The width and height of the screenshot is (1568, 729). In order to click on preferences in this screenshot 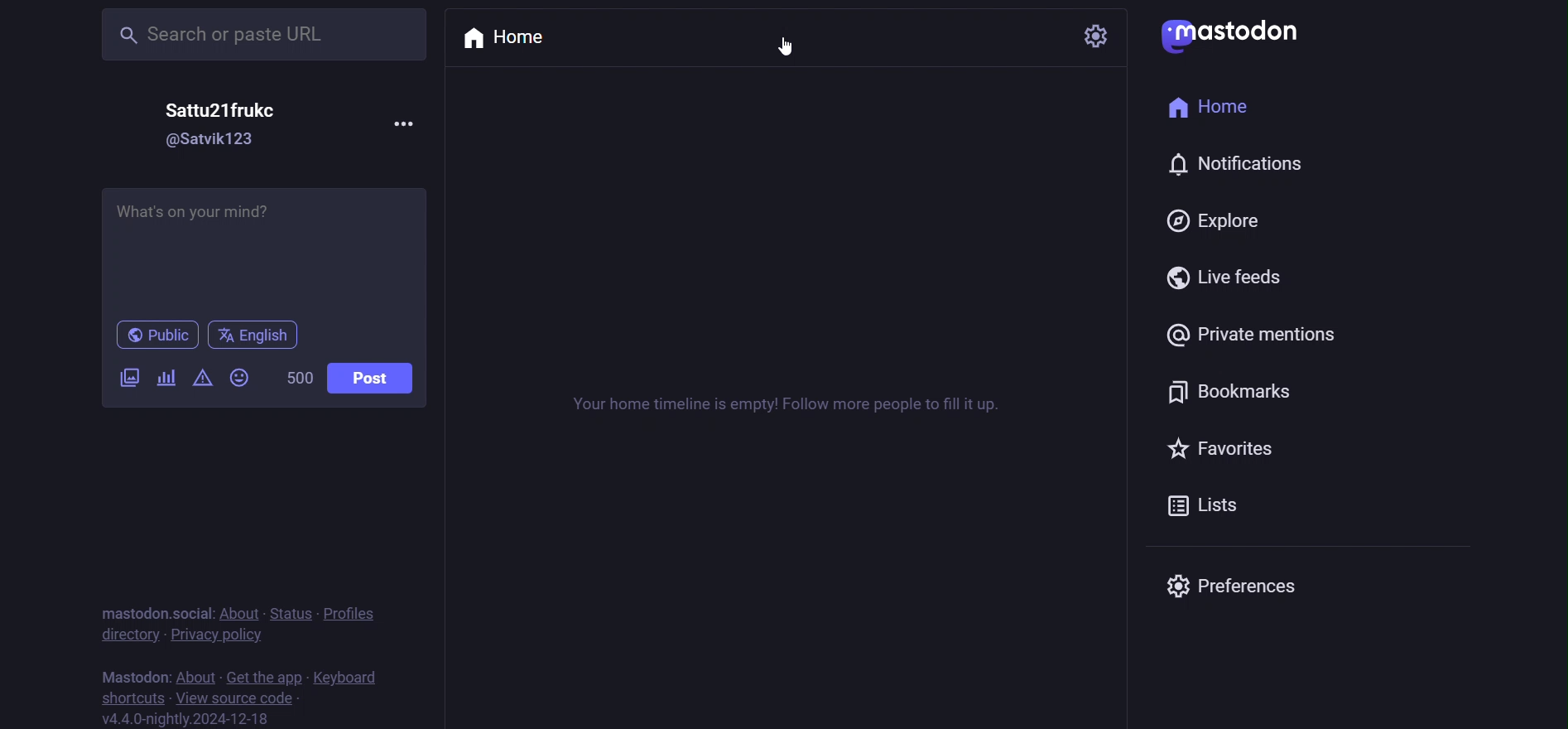, I will do `click(1238, 586)`.